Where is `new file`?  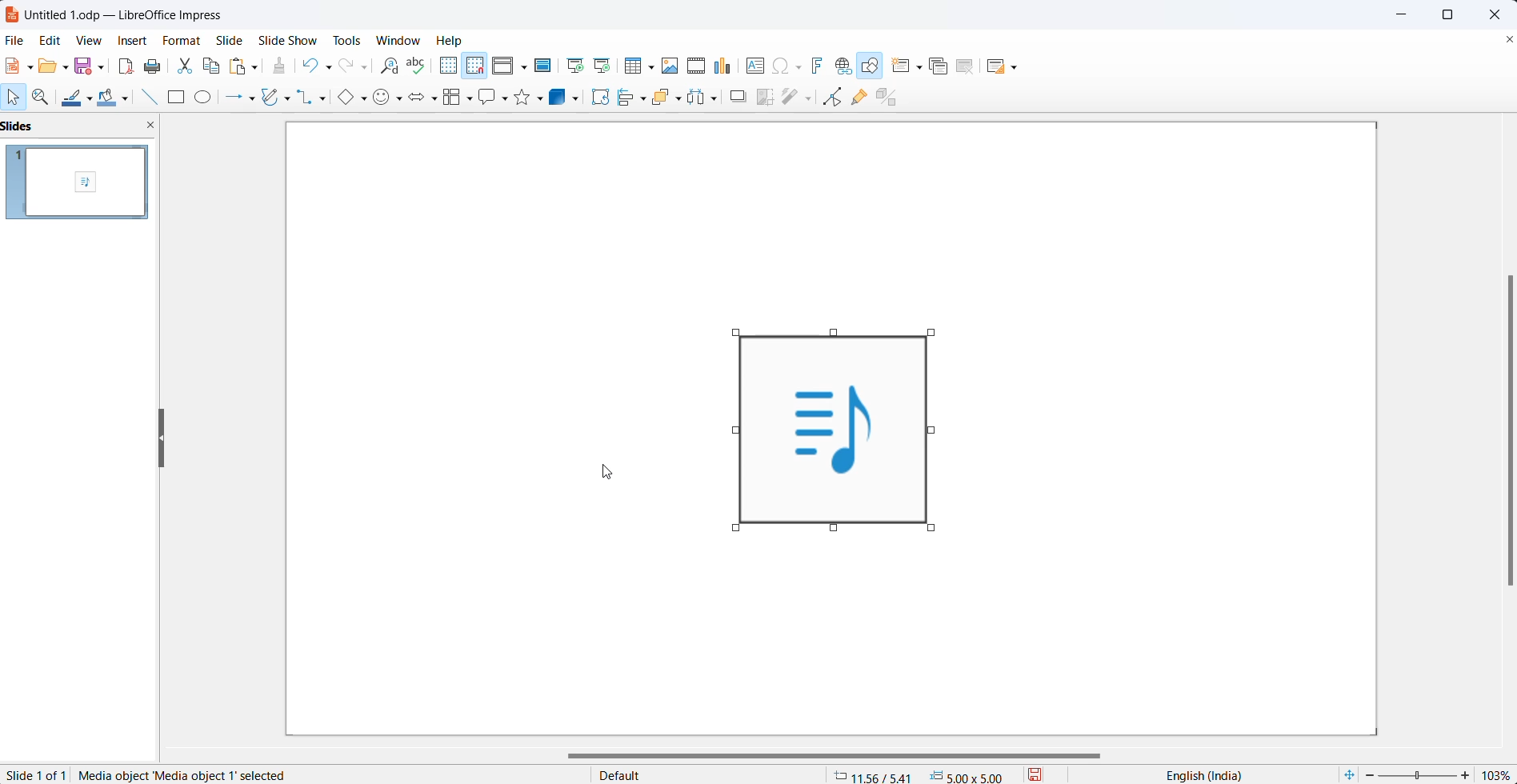 new file is located at coordinates (12, 66).